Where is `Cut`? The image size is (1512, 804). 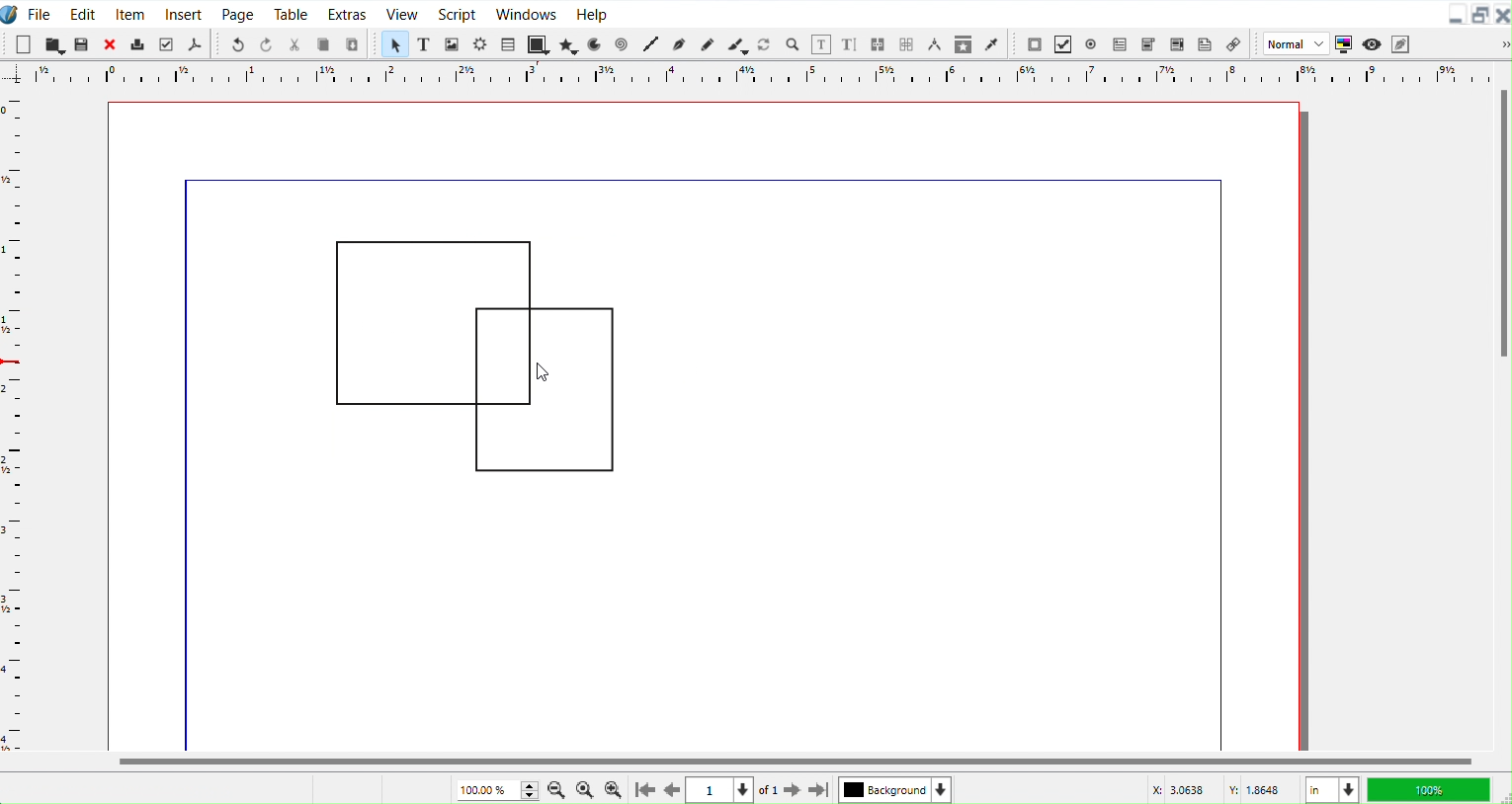
Cut is located at coordinates (294, 42).